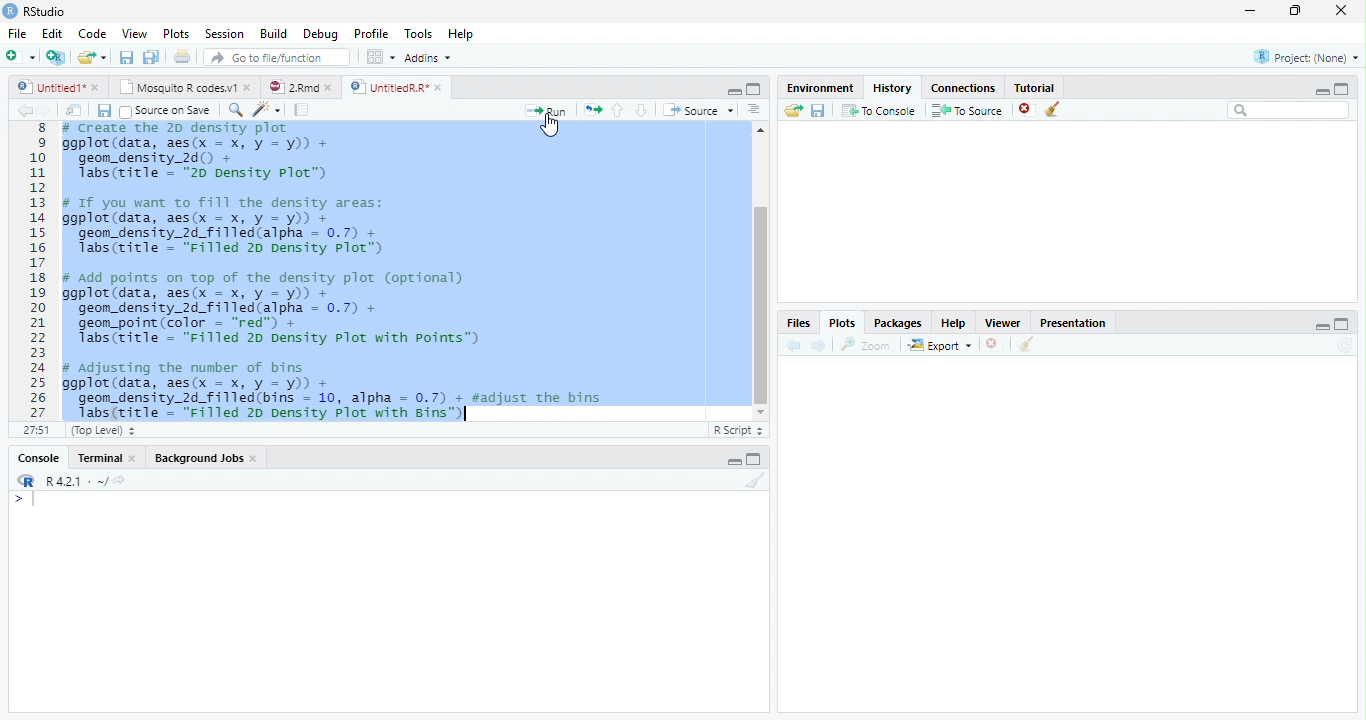  I want to click on Help, so click(460, 35).